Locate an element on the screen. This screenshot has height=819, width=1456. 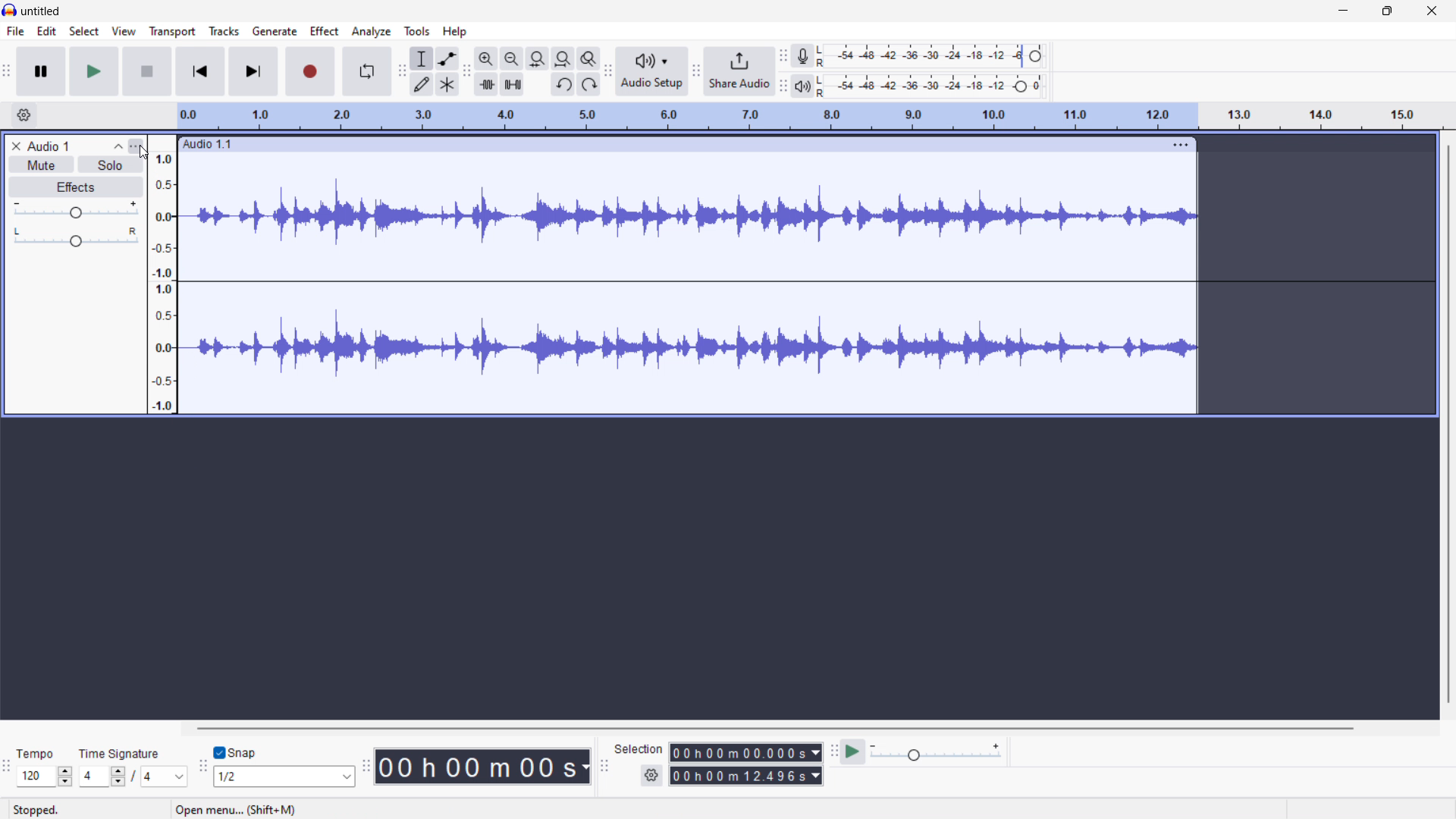
audio setup is located at coordinates (652, 71).